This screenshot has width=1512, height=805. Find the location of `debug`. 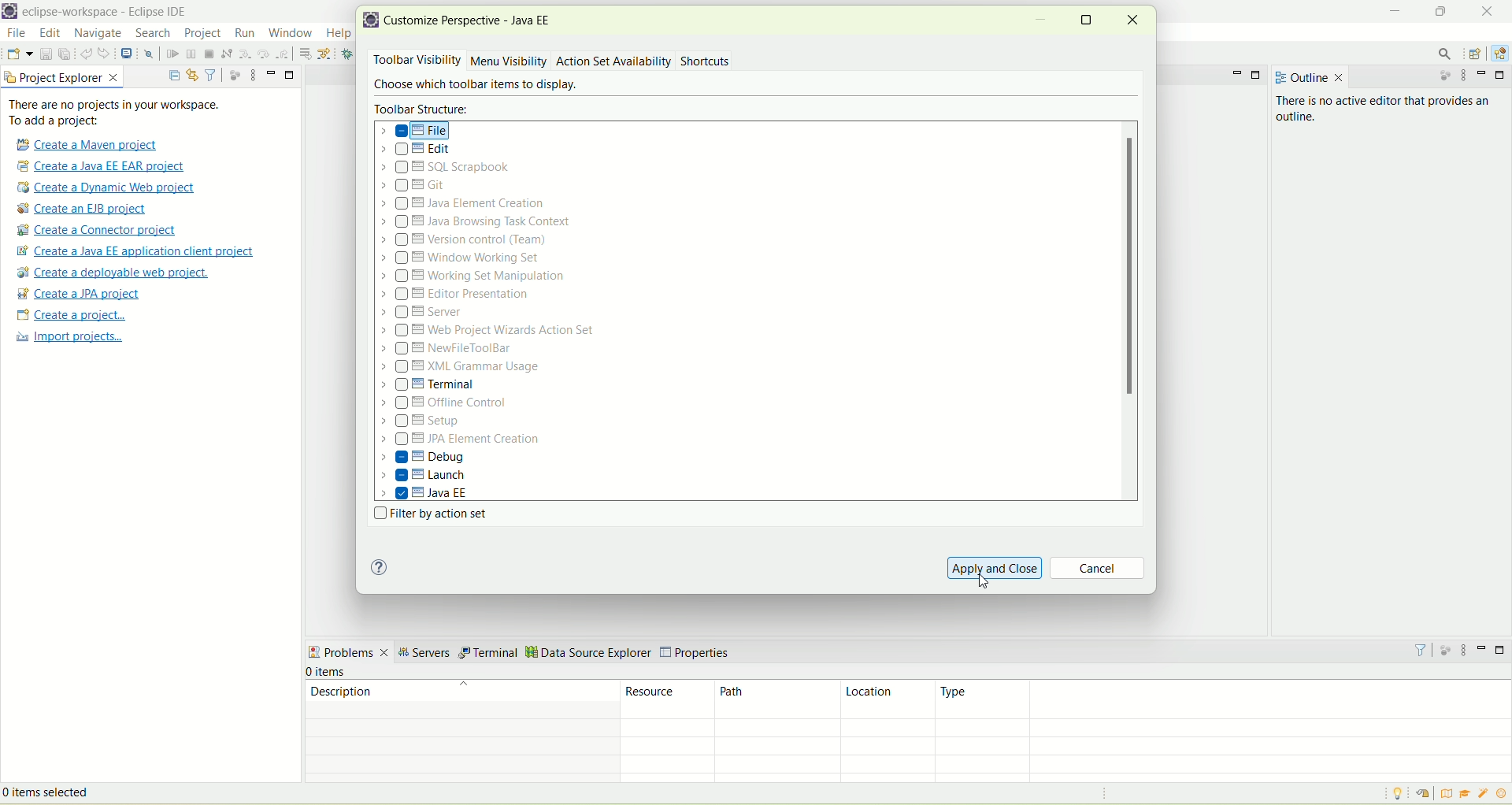

debug is located at coordinates (351, 55).